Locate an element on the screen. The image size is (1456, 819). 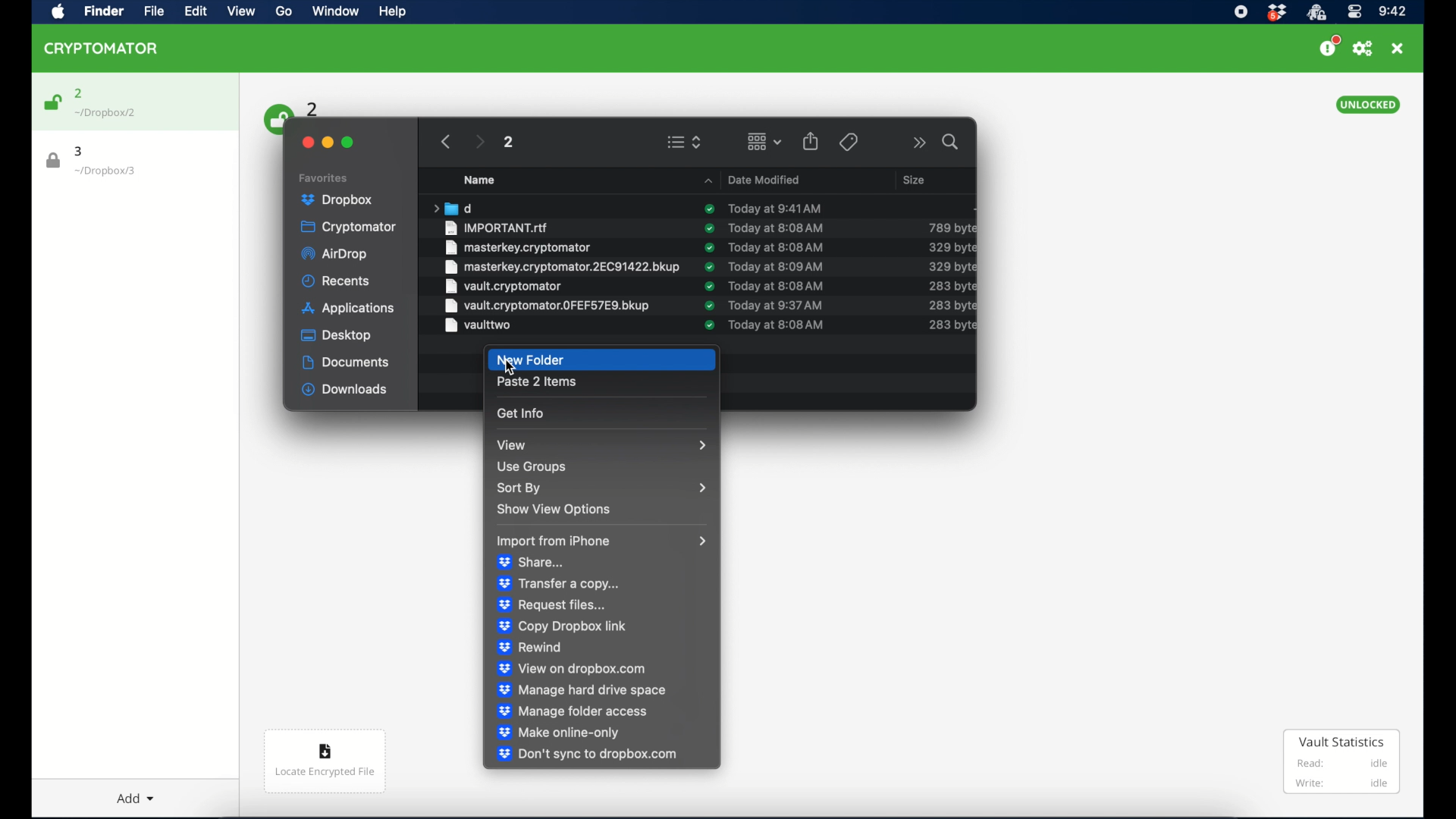
view menu is located at coordinates (601, 444).